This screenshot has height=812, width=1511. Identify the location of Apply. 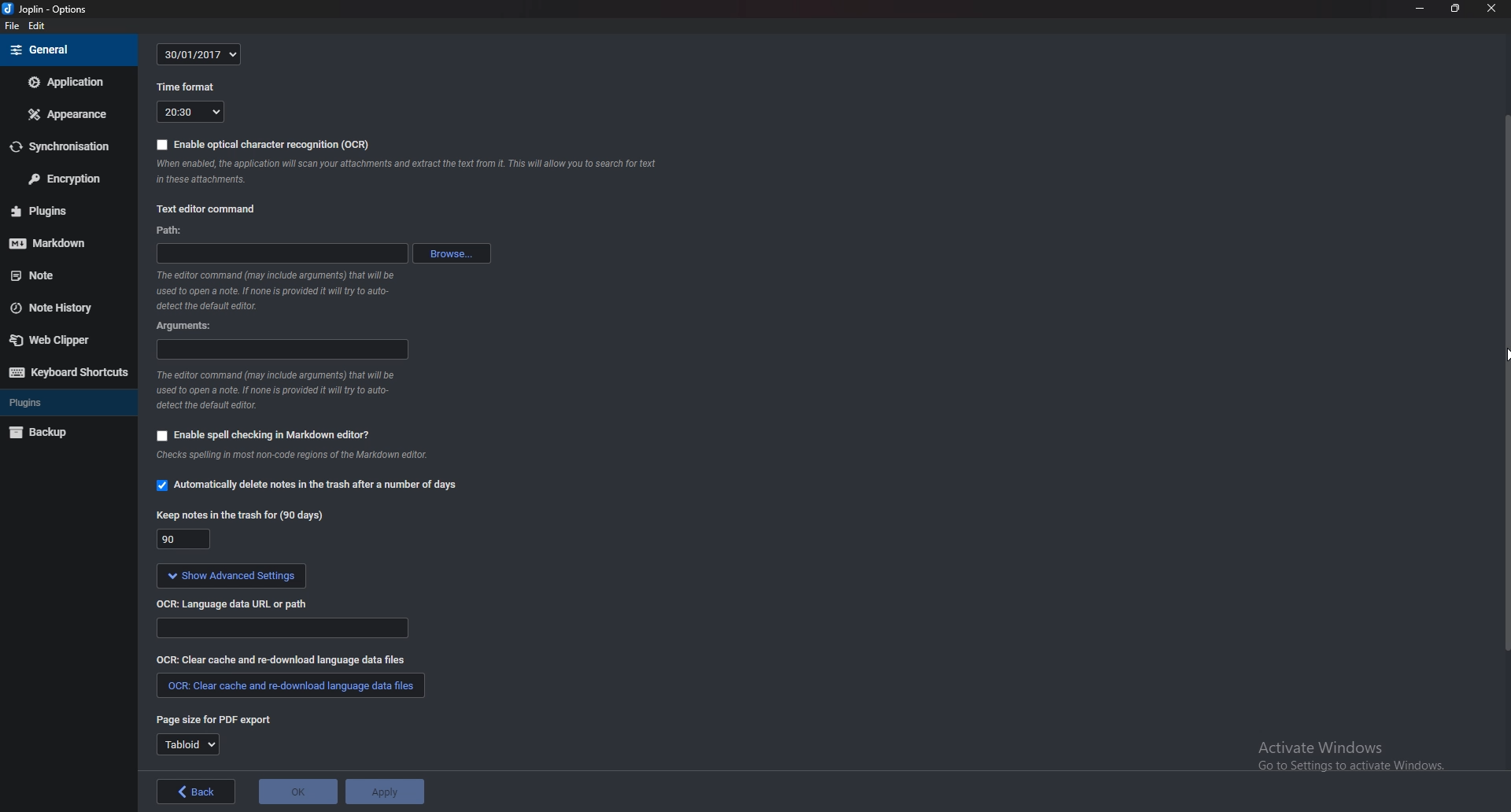
(386, 791).